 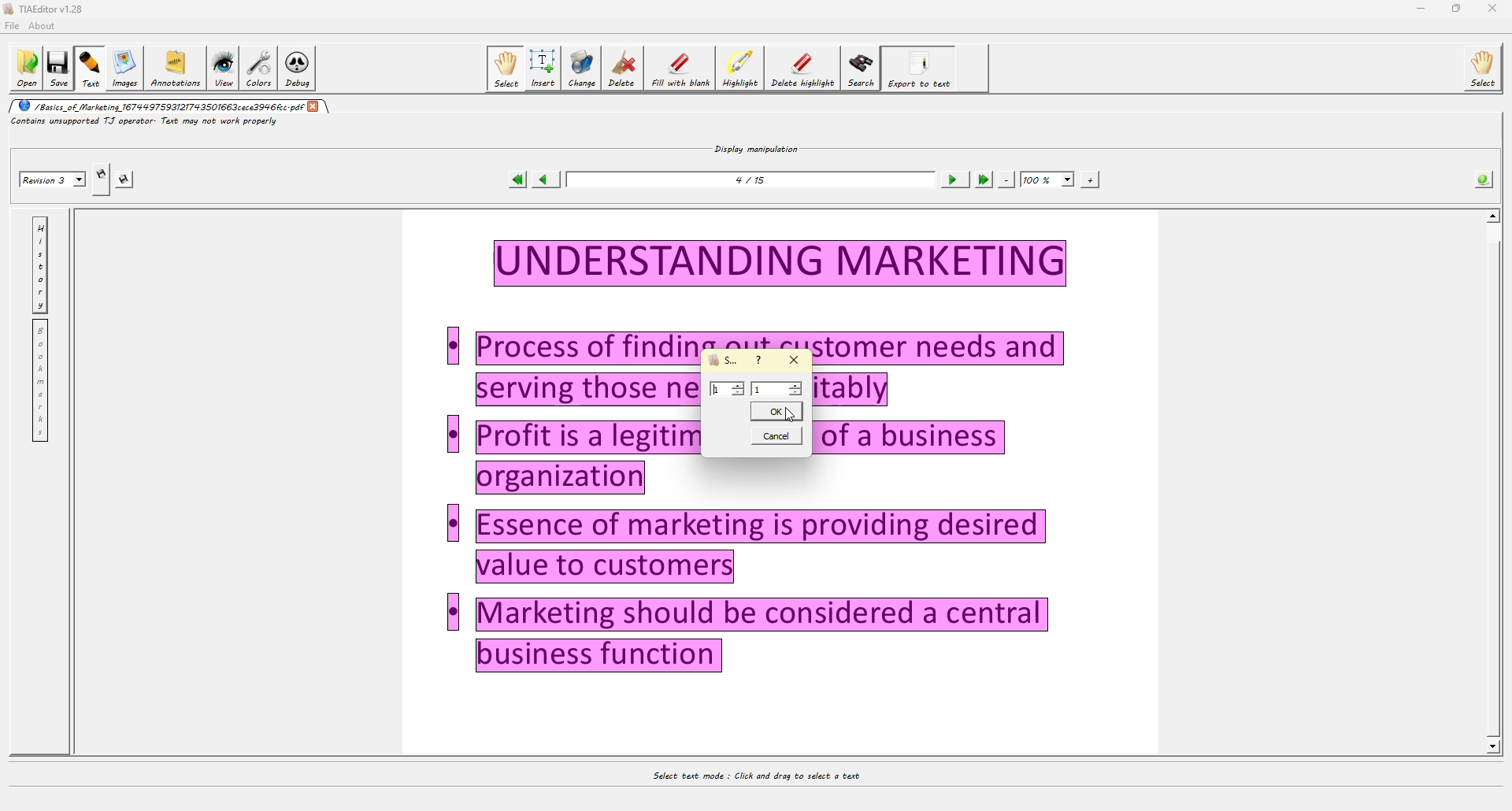 I want to click on info, so click(x=148, y=122).